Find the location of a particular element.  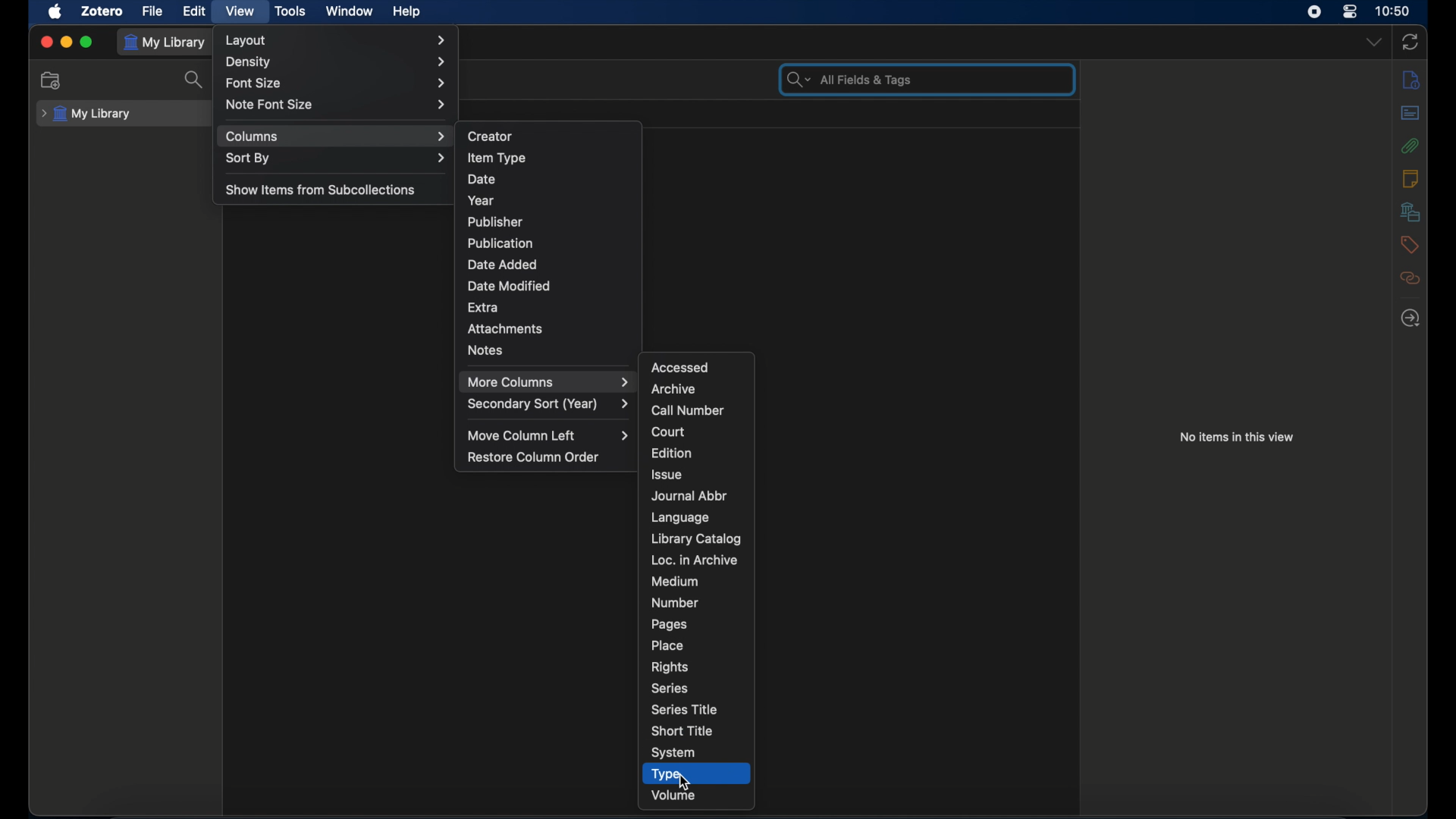

library catalog is located at coordinates (696, 539).